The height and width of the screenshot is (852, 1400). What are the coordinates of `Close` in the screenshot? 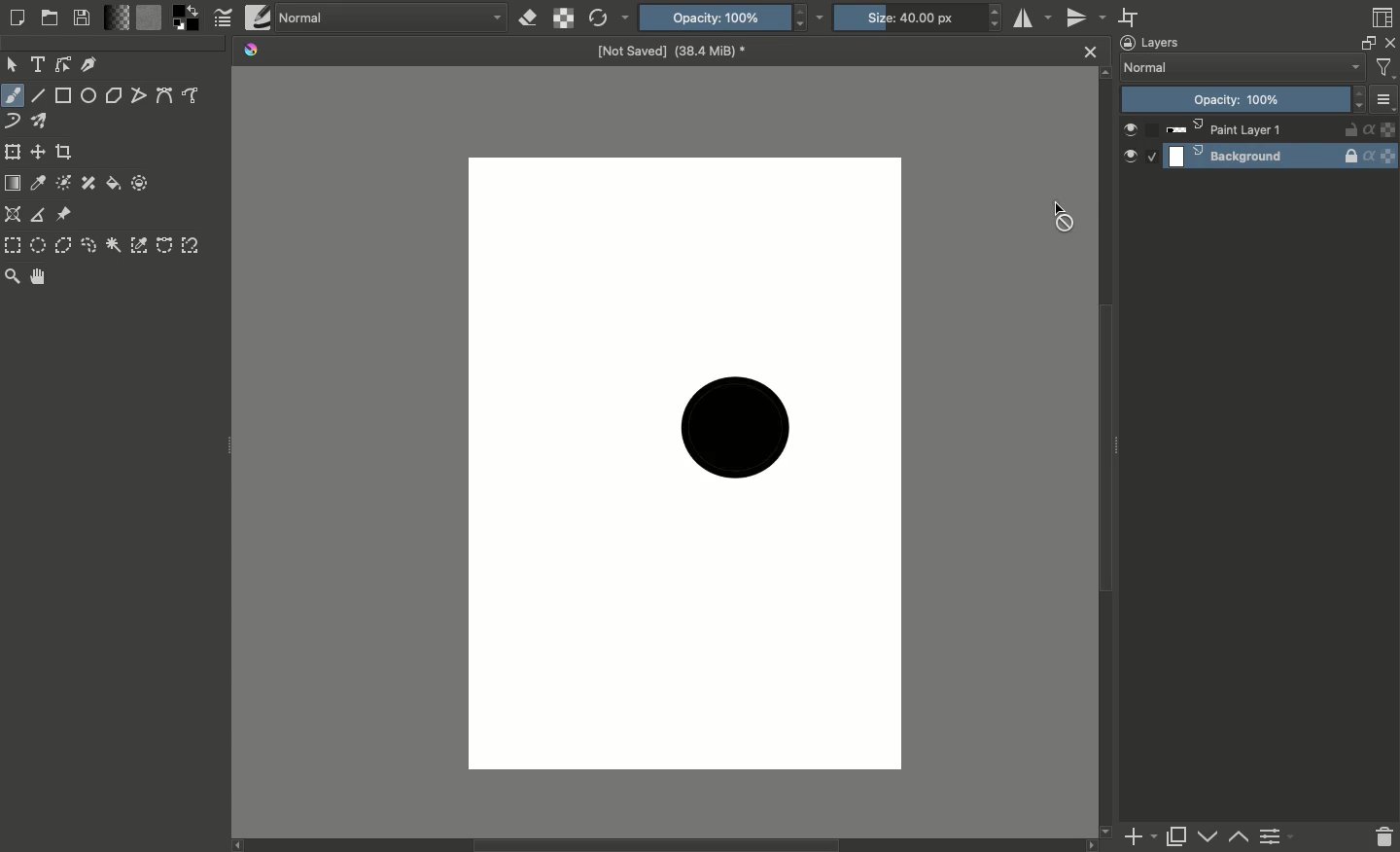 It's located at (1390, 47).